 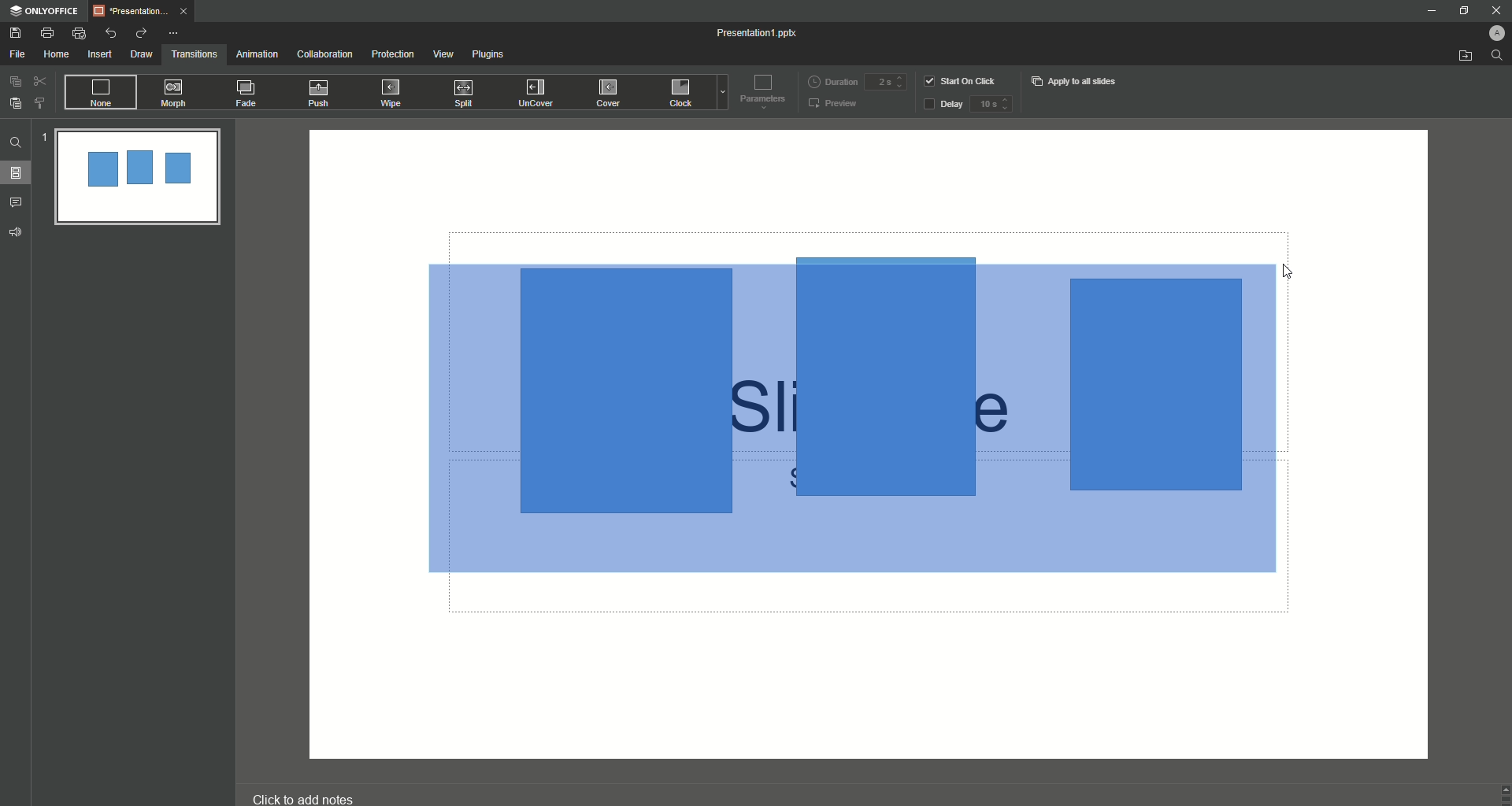 What do you see at coordinates (1295, 271) in the screenshot?
I see `Cursor` at bounding box center [1295, 271].